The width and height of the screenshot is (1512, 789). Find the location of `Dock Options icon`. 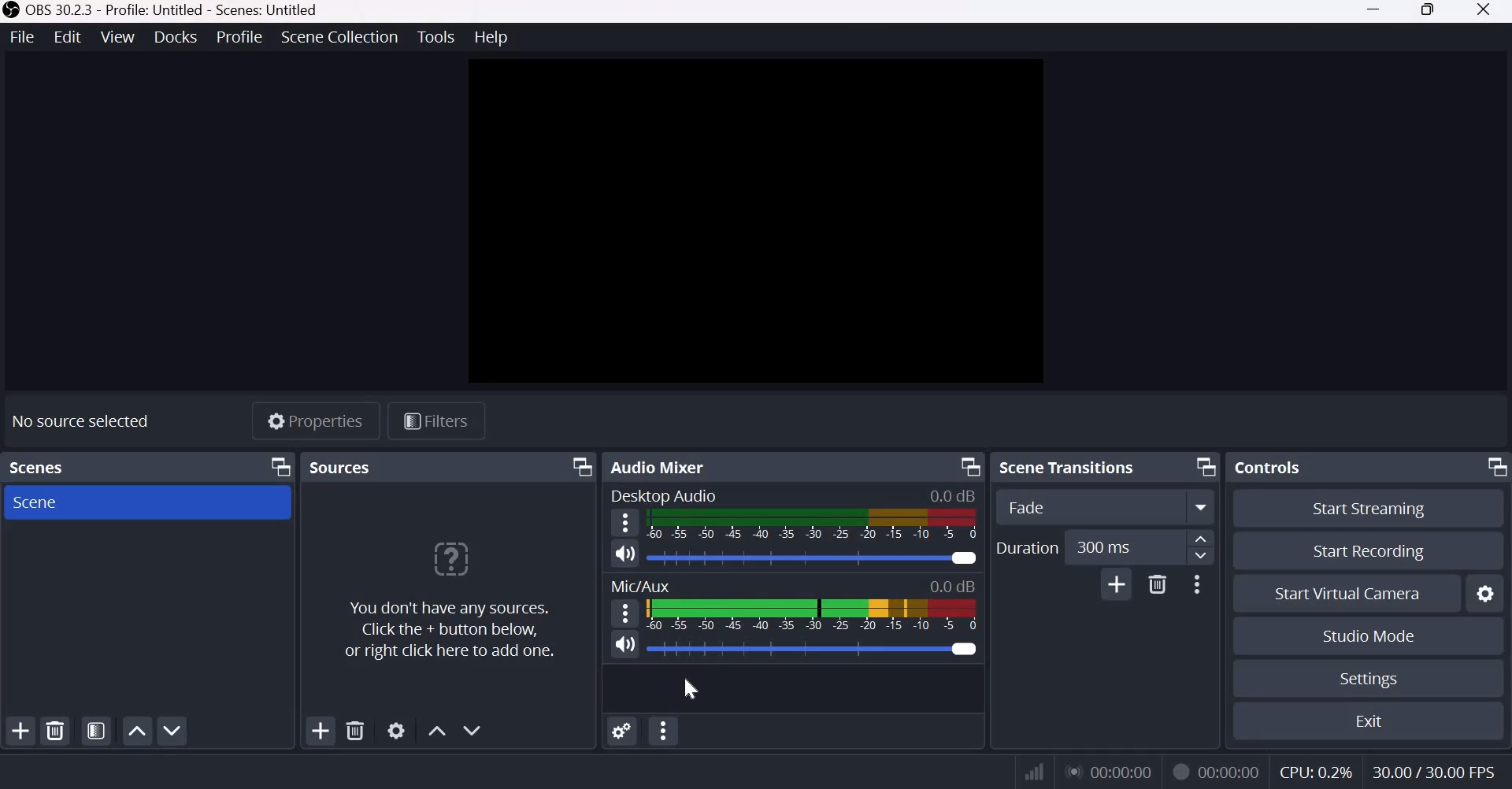

Dock Options icon is located at coordinates (967, 467).